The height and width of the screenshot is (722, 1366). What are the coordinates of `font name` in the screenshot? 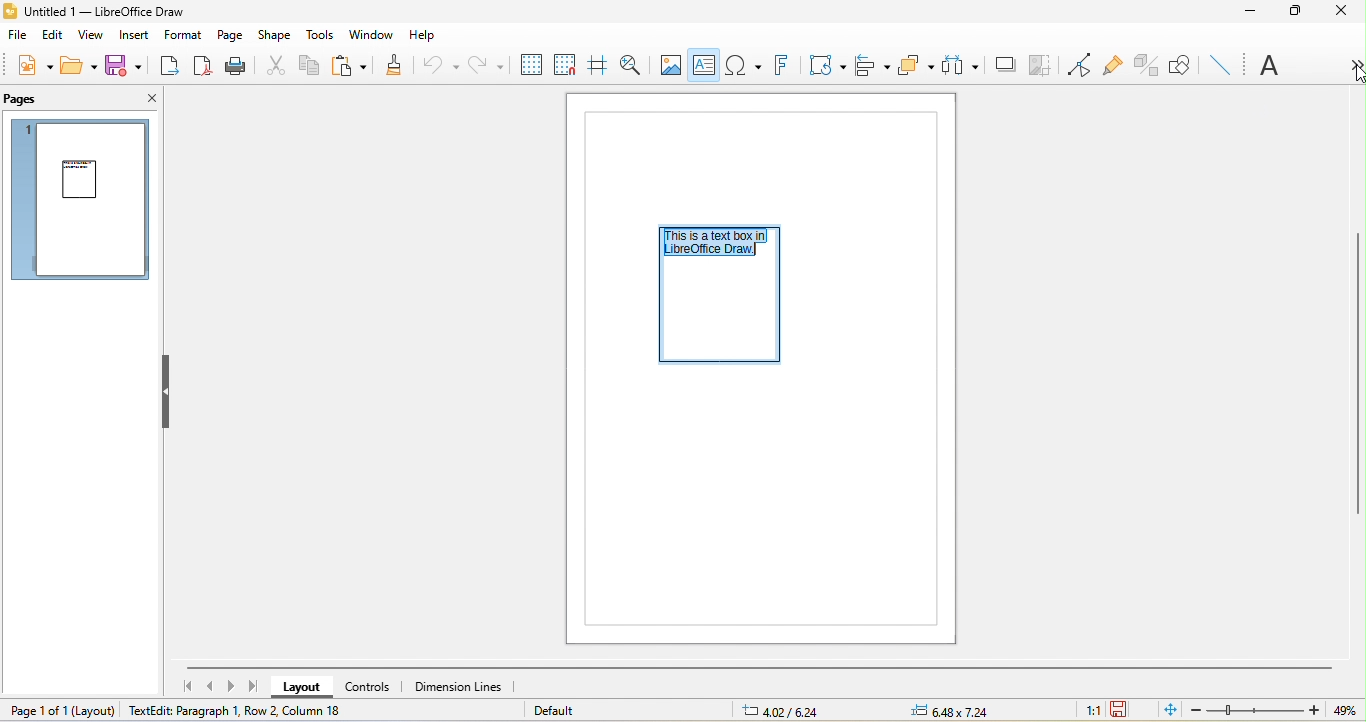 It's located at (1262, 63).